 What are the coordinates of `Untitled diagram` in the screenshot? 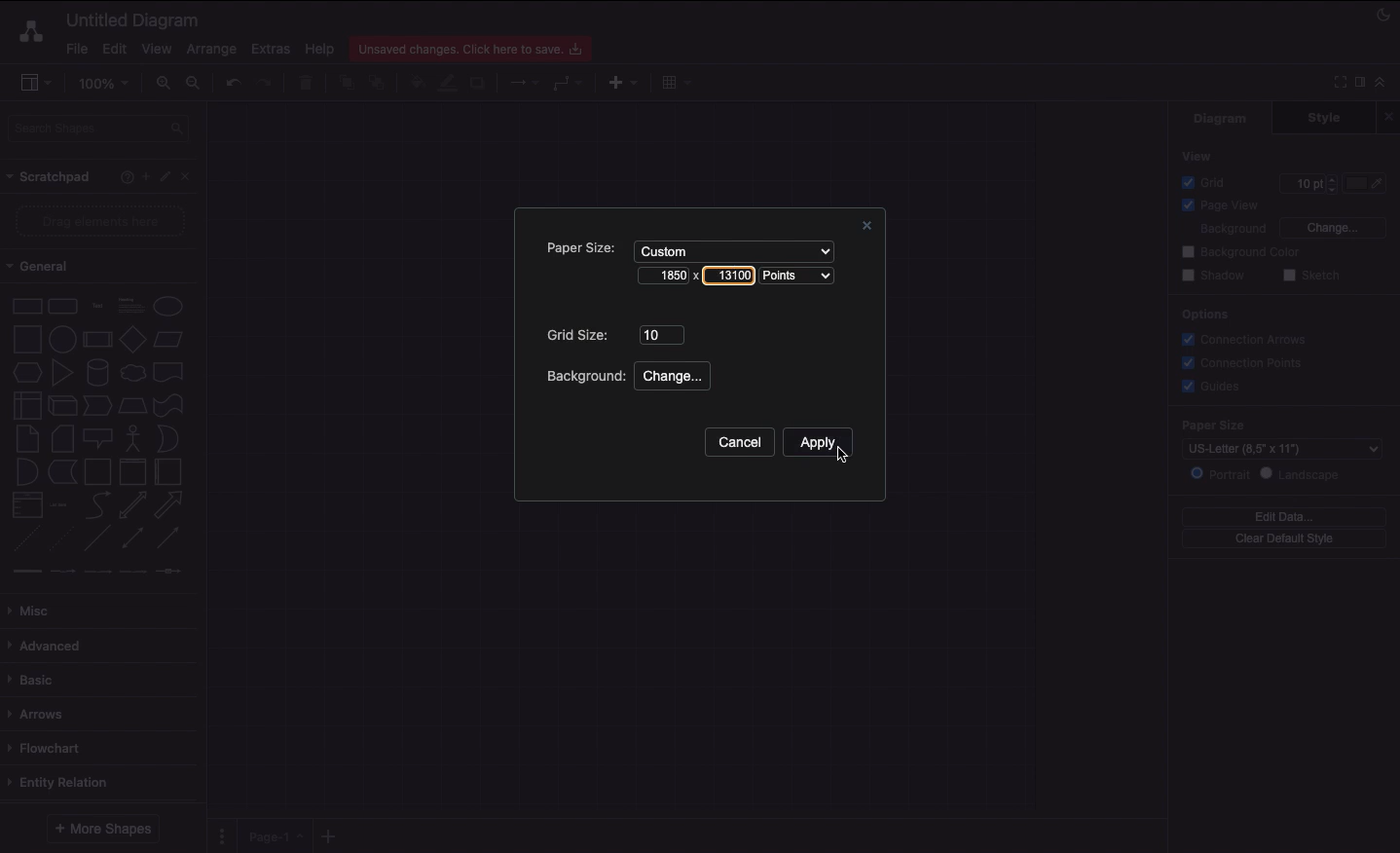 It's located at (133, 19).